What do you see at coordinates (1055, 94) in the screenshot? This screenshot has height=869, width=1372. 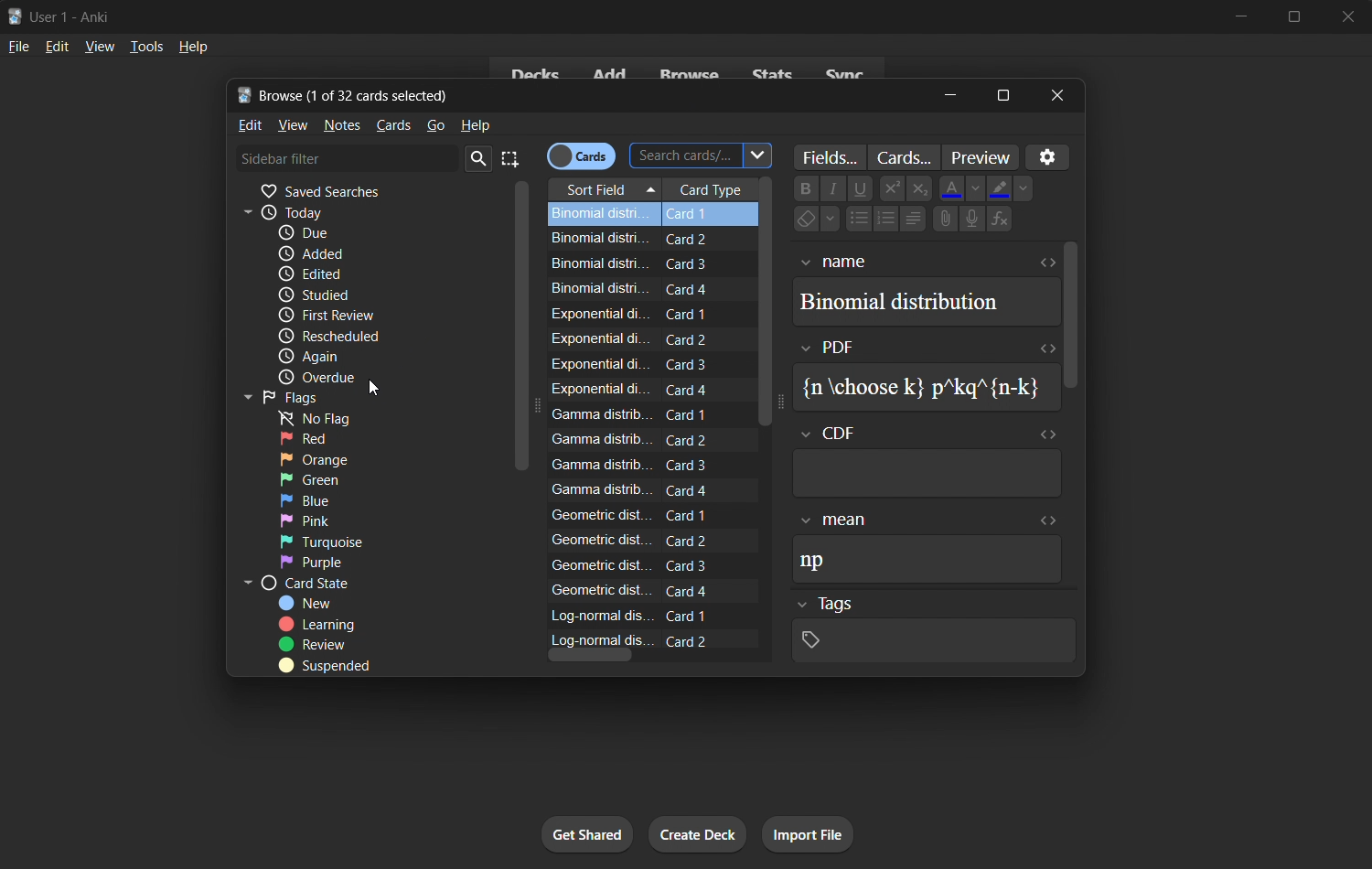 I see `close` at bounding box center [1055, 94].